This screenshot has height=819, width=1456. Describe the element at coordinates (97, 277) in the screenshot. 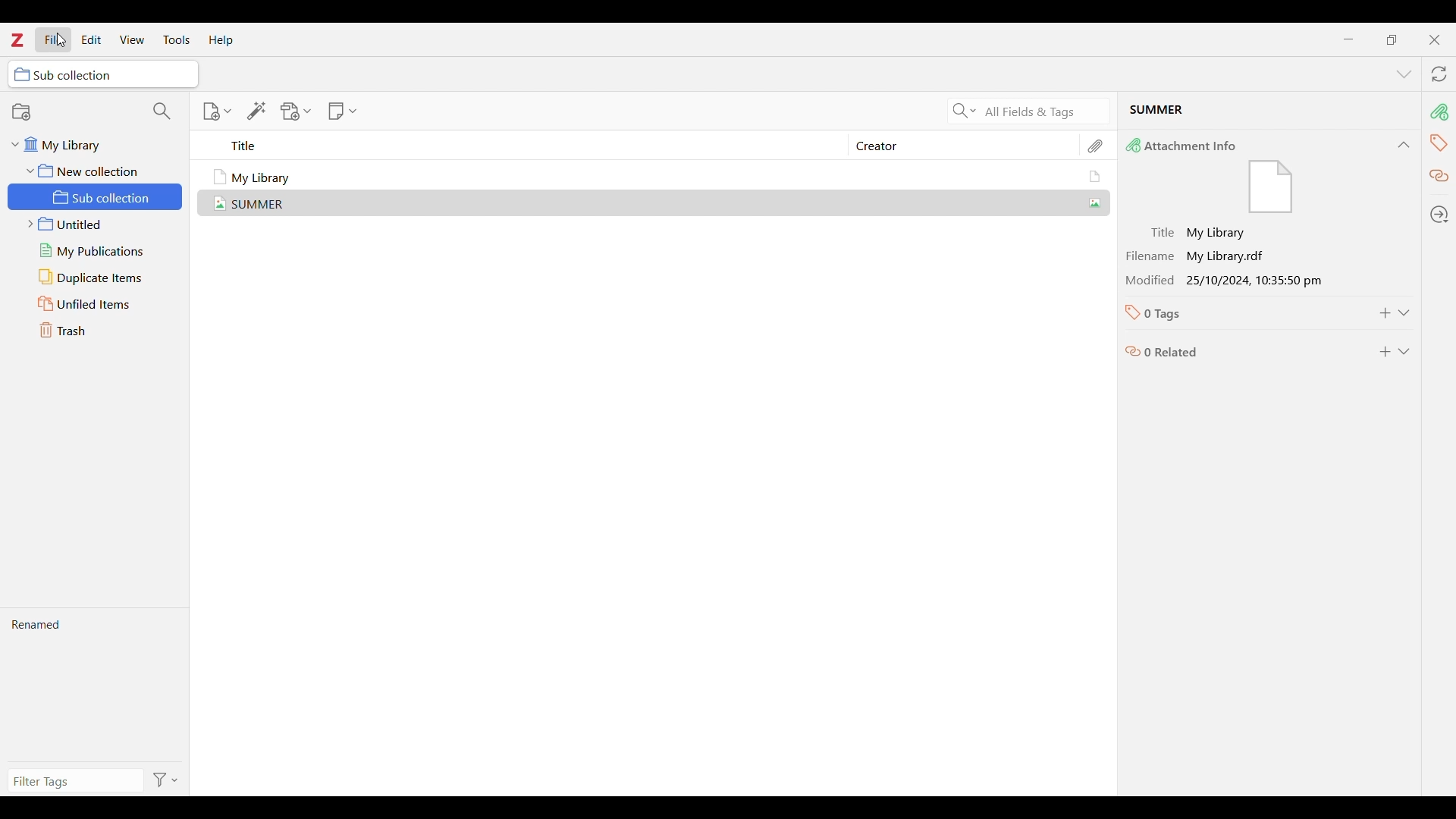

I see `Duplicate items` at that location.